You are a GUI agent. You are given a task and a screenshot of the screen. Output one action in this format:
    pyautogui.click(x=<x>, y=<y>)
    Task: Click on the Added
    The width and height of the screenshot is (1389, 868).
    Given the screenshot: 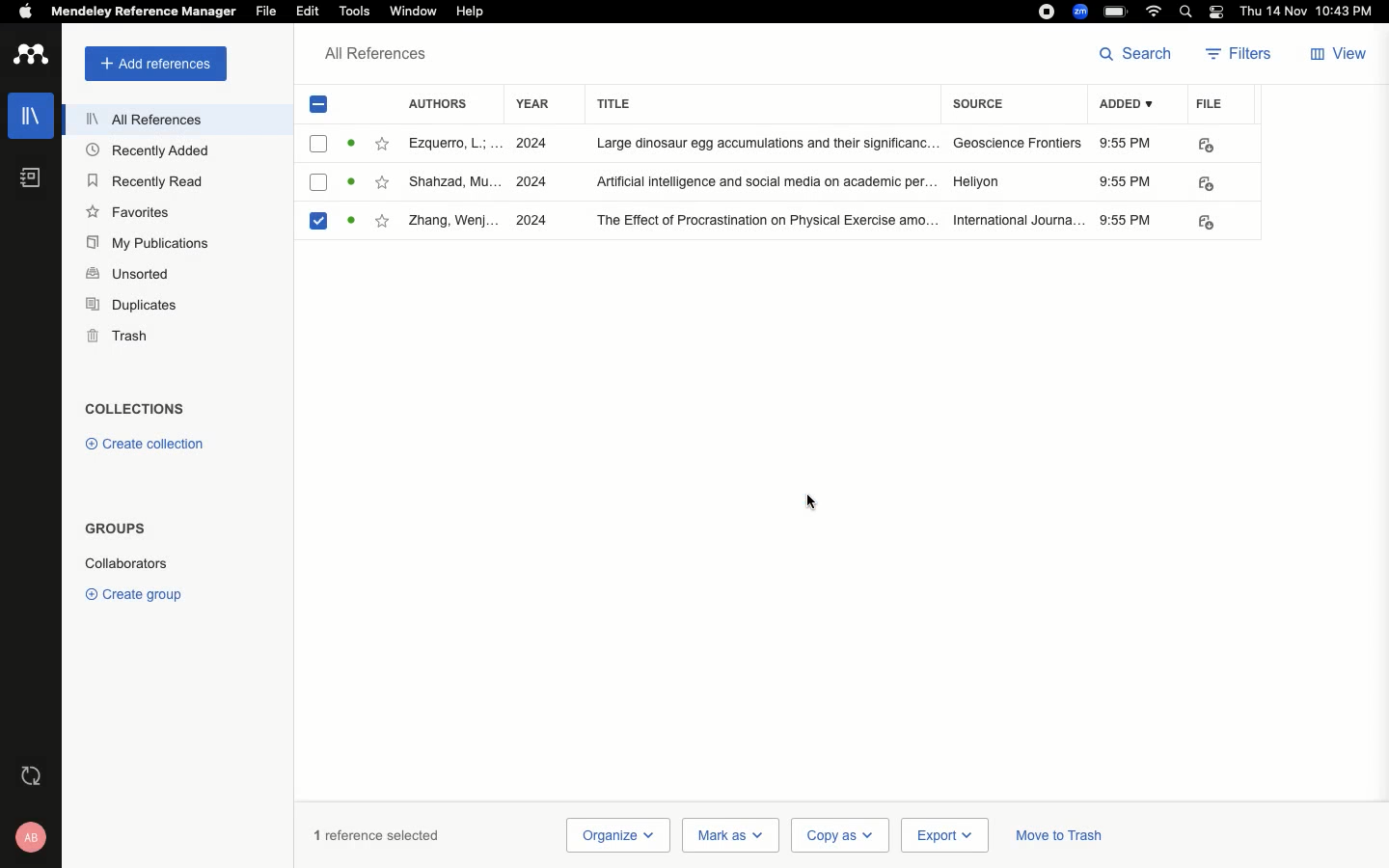 What is the action you would take?
    pyautogui.click(x=1131, y=106)
    